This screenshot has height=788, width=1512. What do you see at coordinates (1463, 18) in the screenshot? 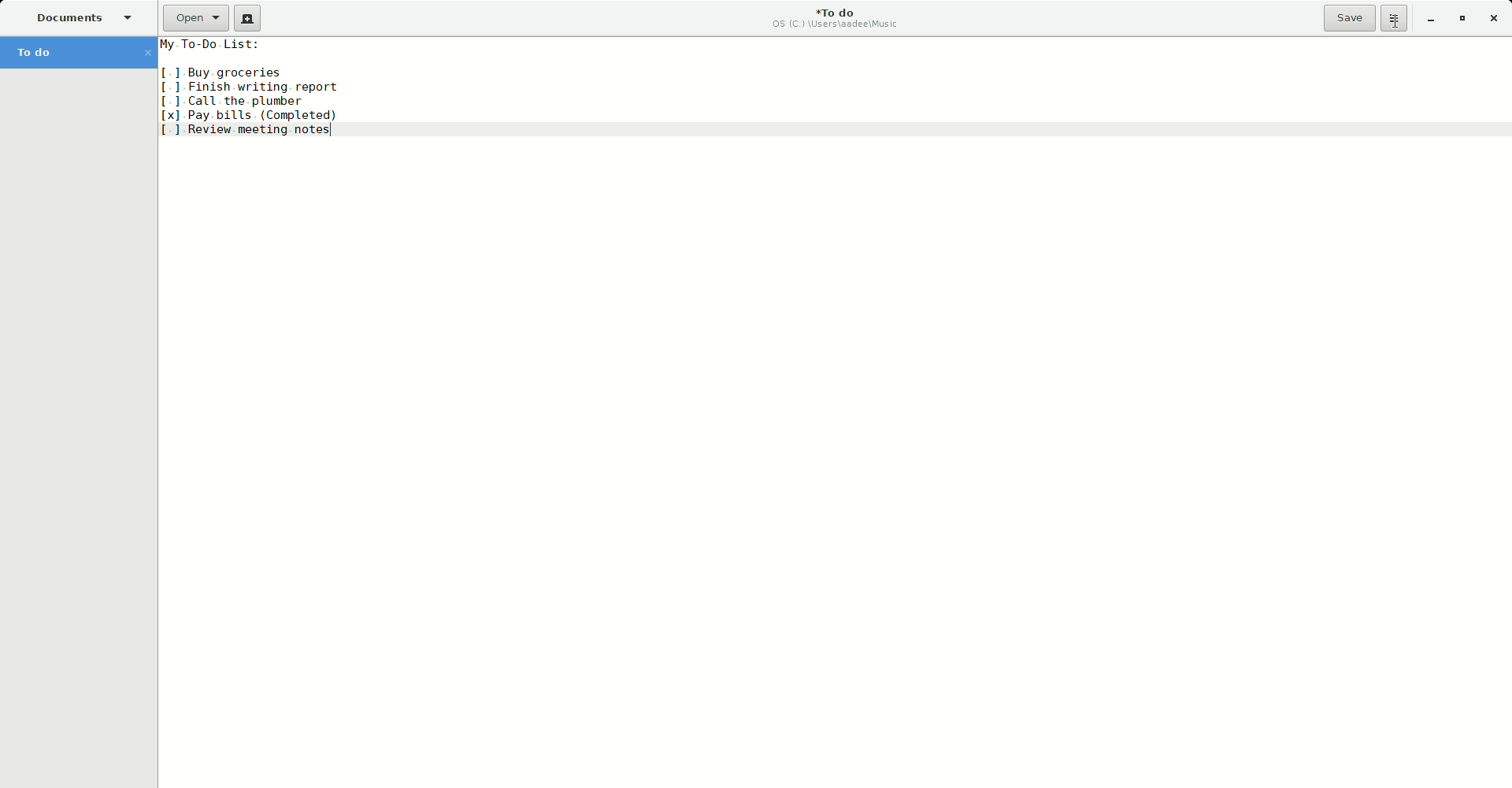
I see `Restore` at bounding box center [1463, 18].